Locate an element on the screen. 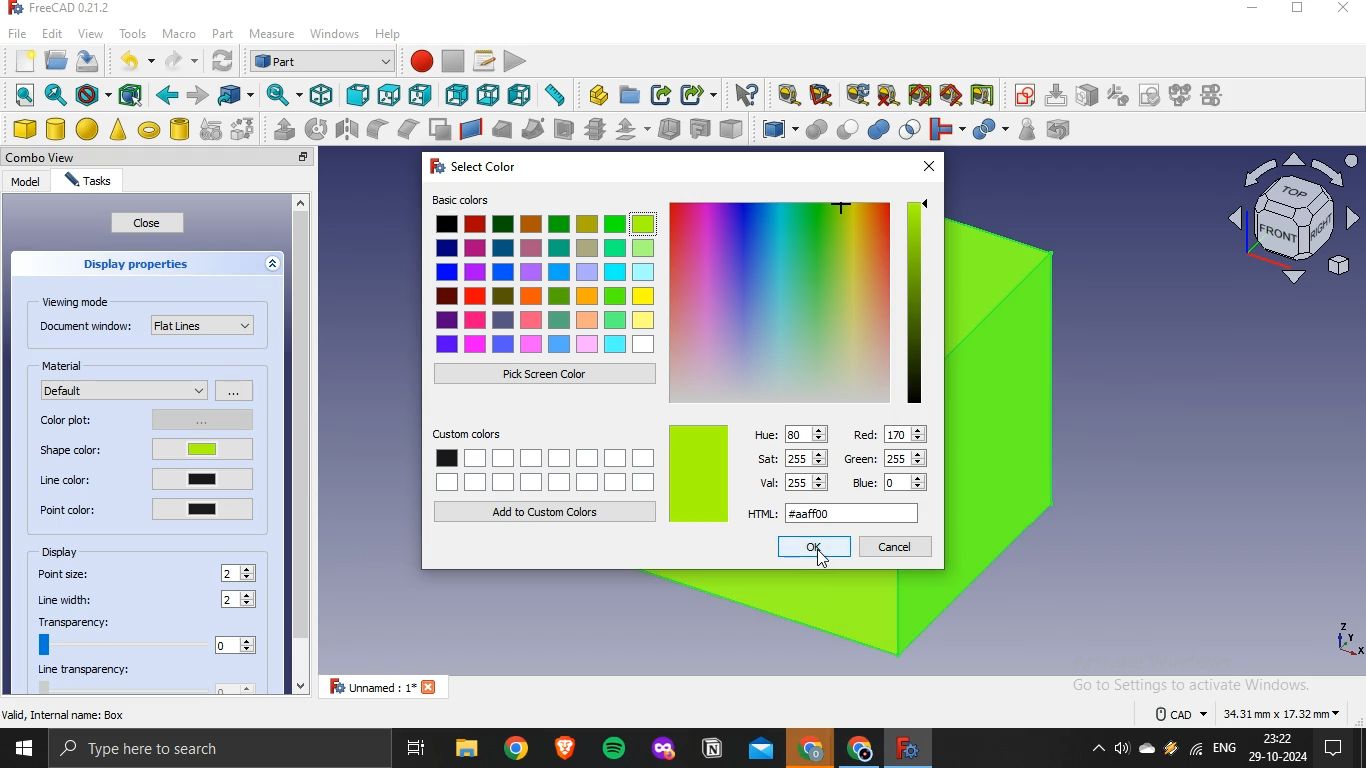  windows is located at coordinates (336, 32).